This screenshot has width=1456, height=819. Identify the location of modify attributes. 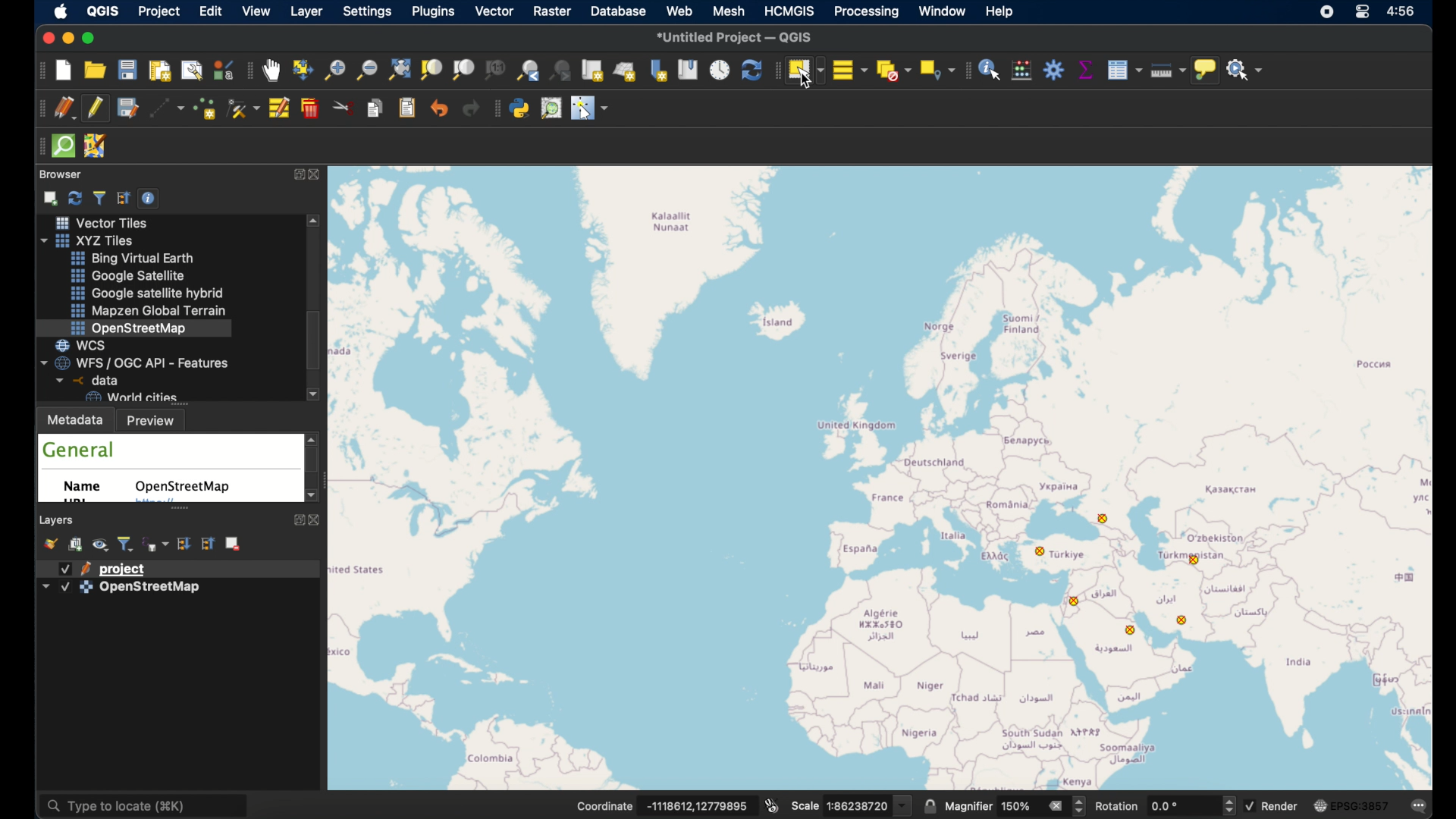
(281, 109).